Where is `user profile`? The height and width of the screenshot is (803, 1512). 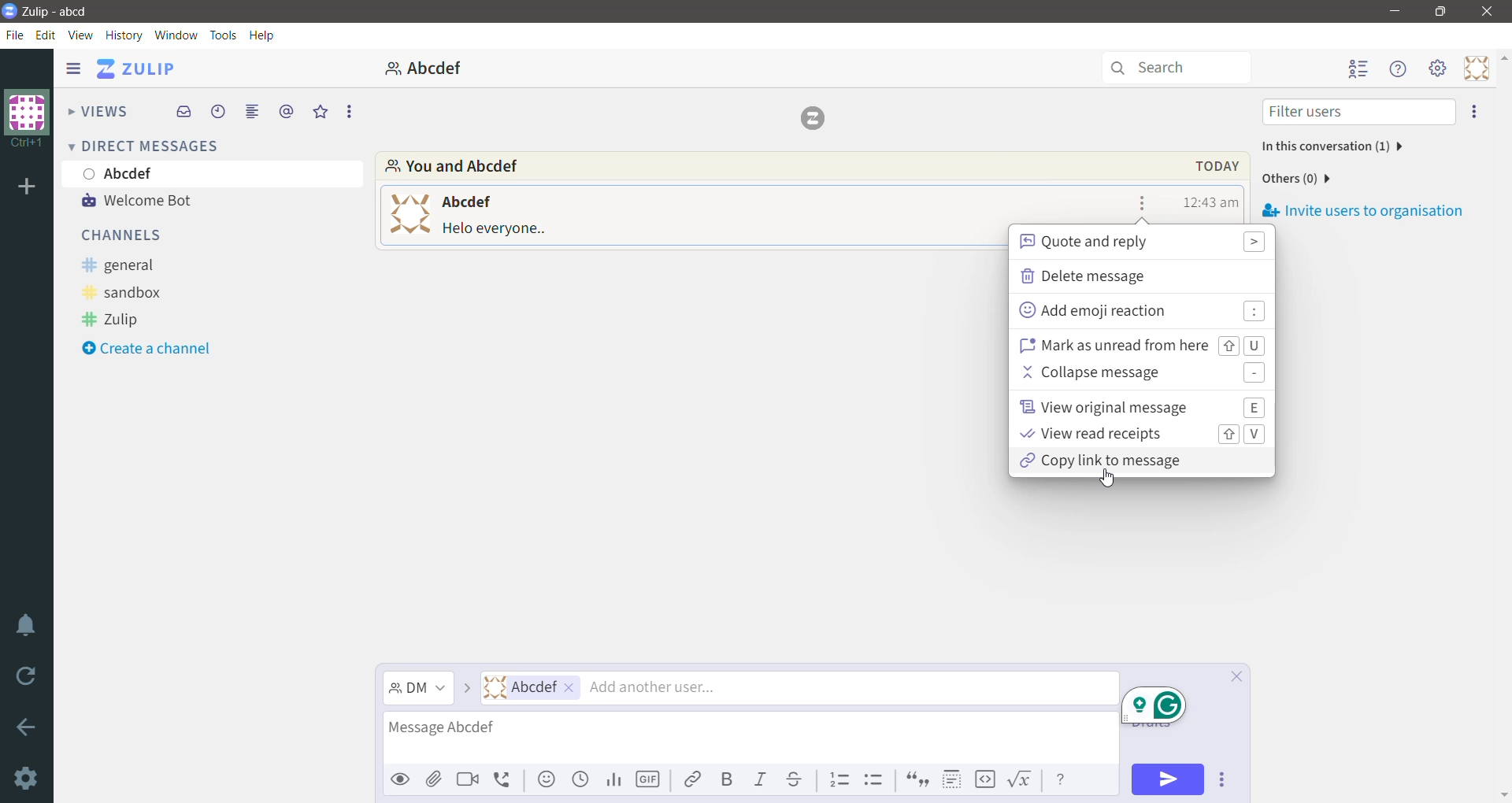 user profile is located at coordinates (407, 213).